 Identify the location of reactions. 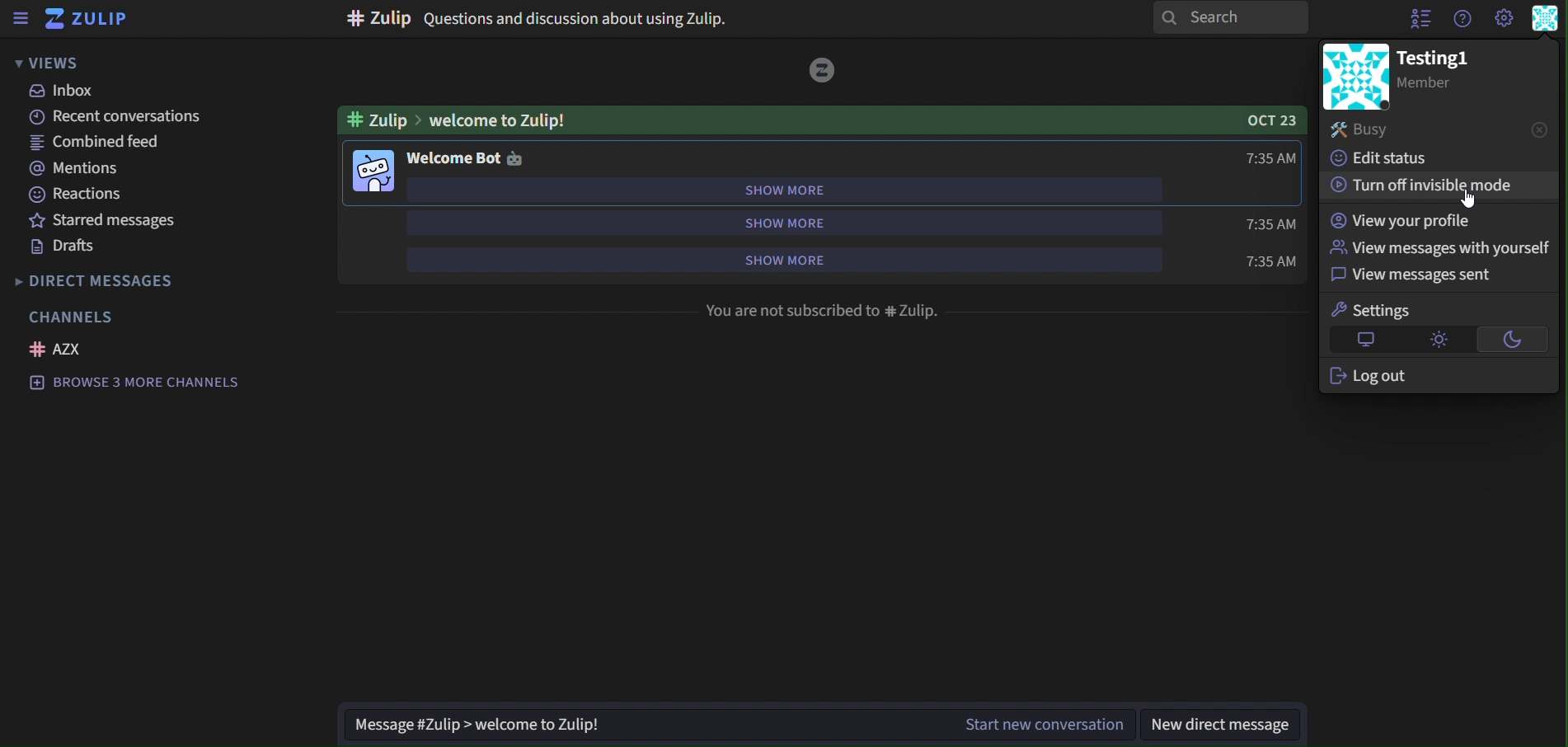
(80, 195).